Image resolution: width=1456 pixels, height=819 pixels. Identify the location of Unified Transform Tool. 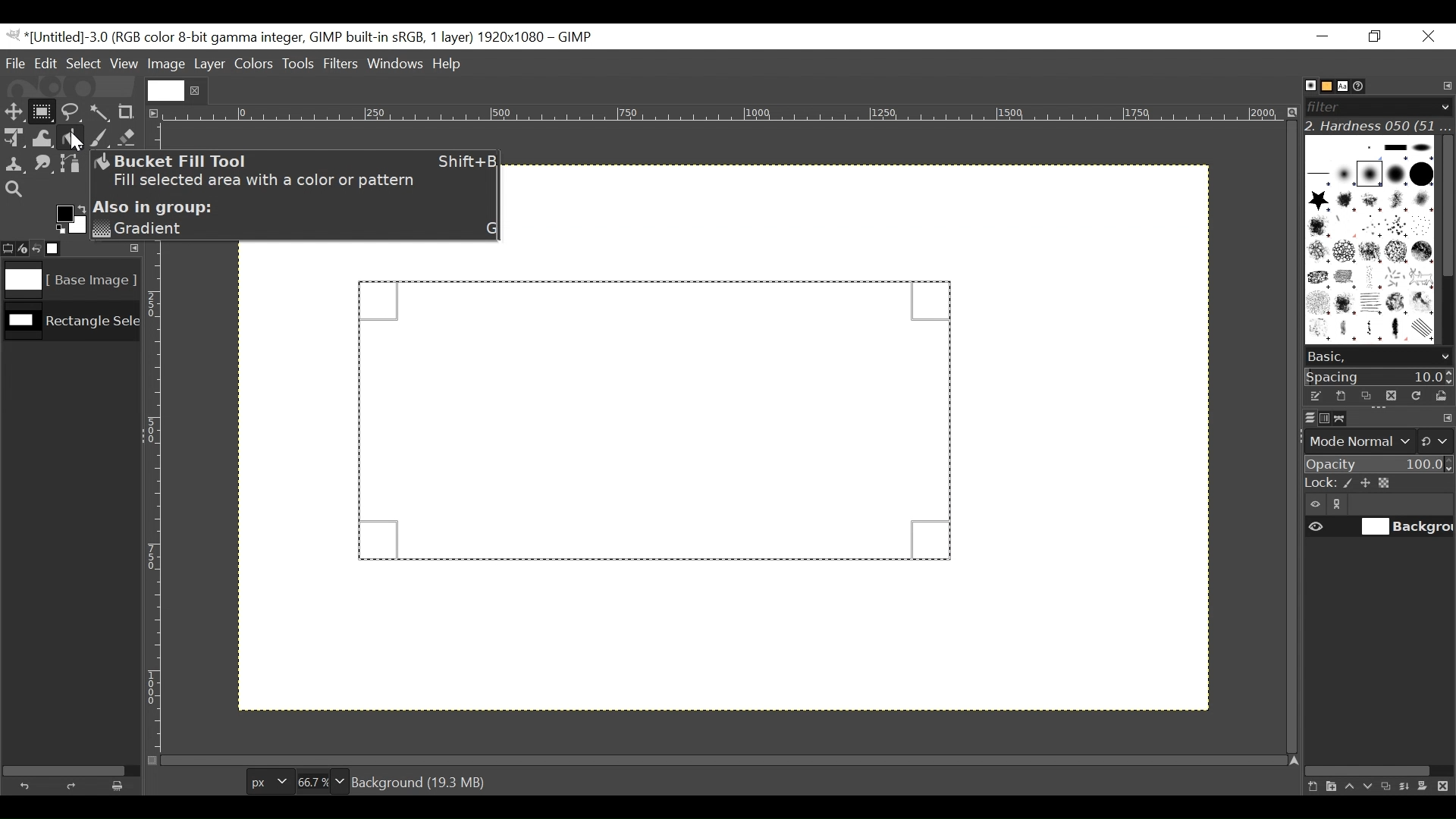
(13, 137).